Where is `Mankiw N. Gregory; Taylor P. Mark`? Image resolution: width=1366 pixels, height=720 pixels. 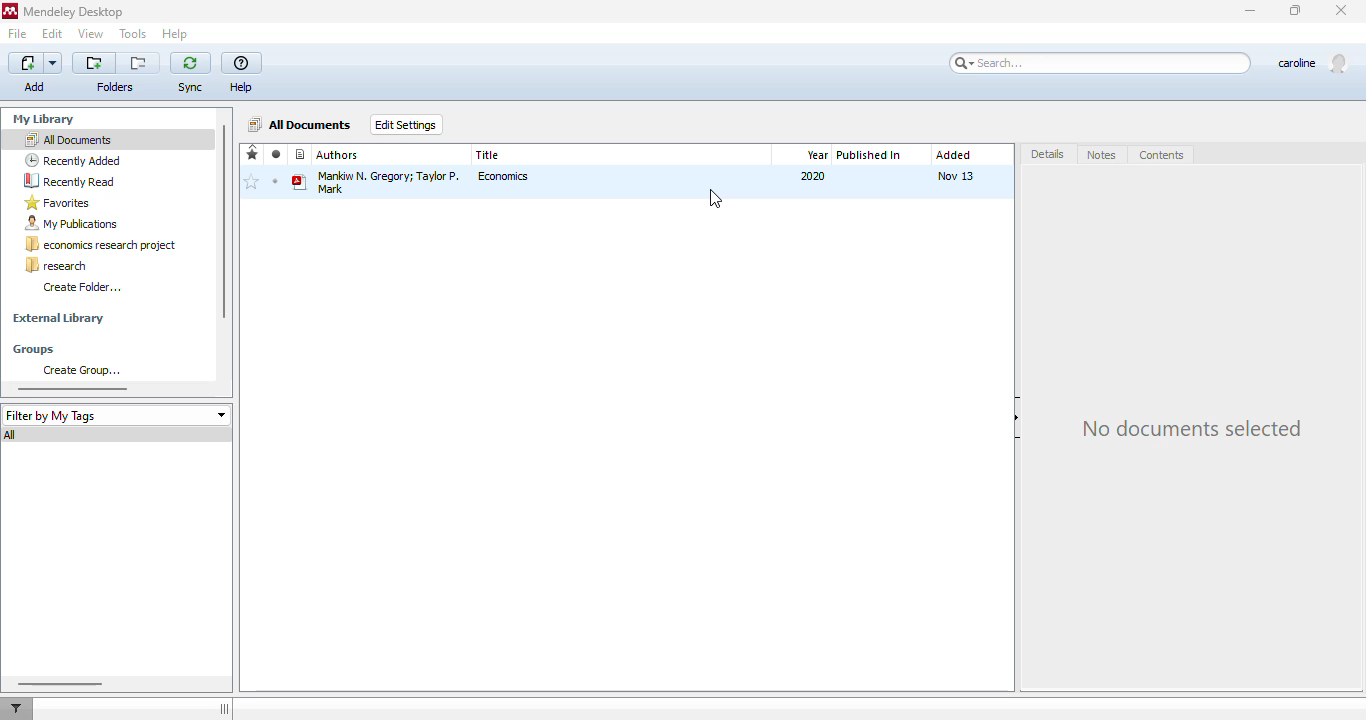
Mankiw N. Gregory; Taylor P. Mark is located at coordinates (376, 183).